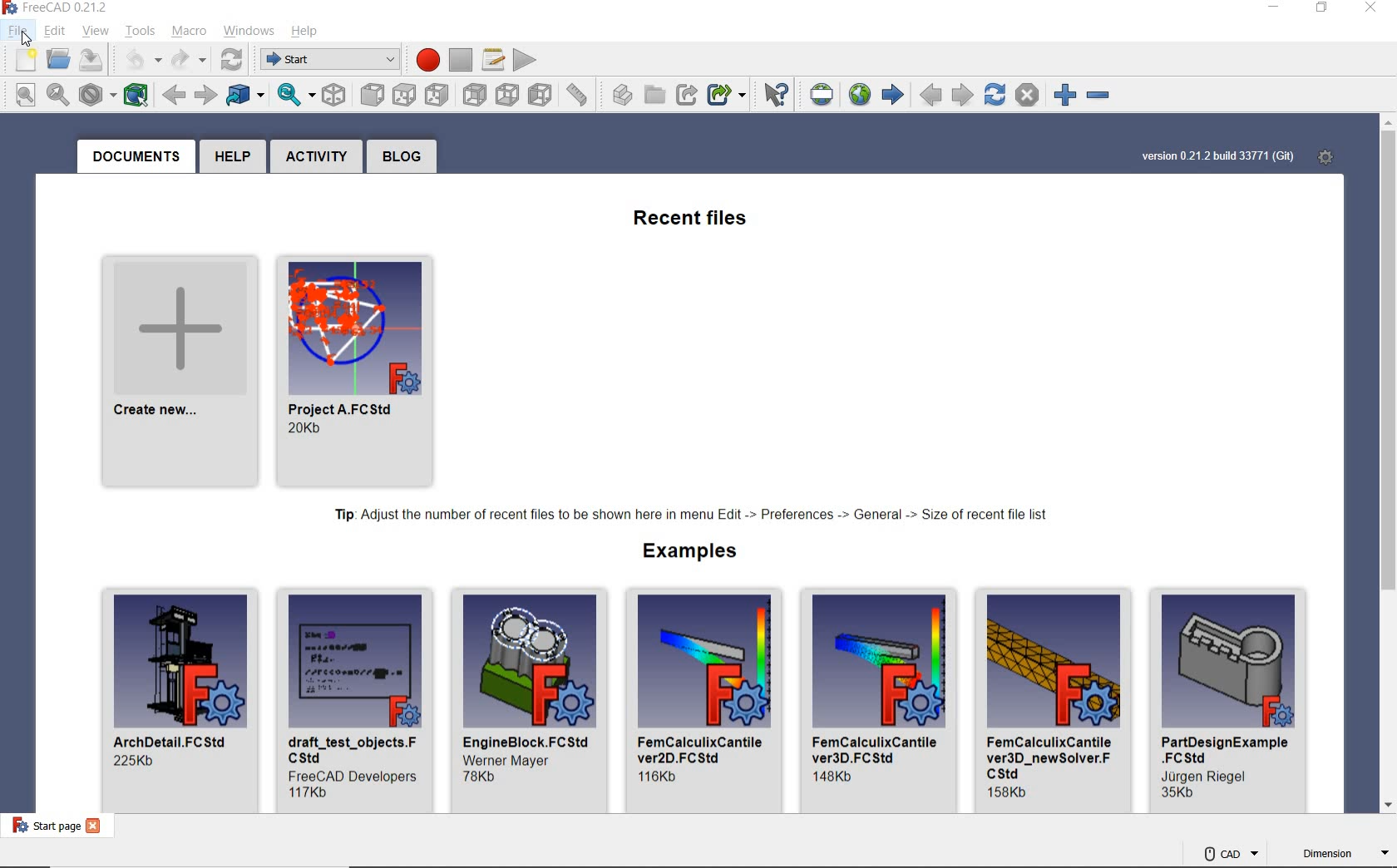 This screenshot has width=1397, height=868. Describe the element at coordinates (879, 749) in the screenshot. I see `name` at that location.